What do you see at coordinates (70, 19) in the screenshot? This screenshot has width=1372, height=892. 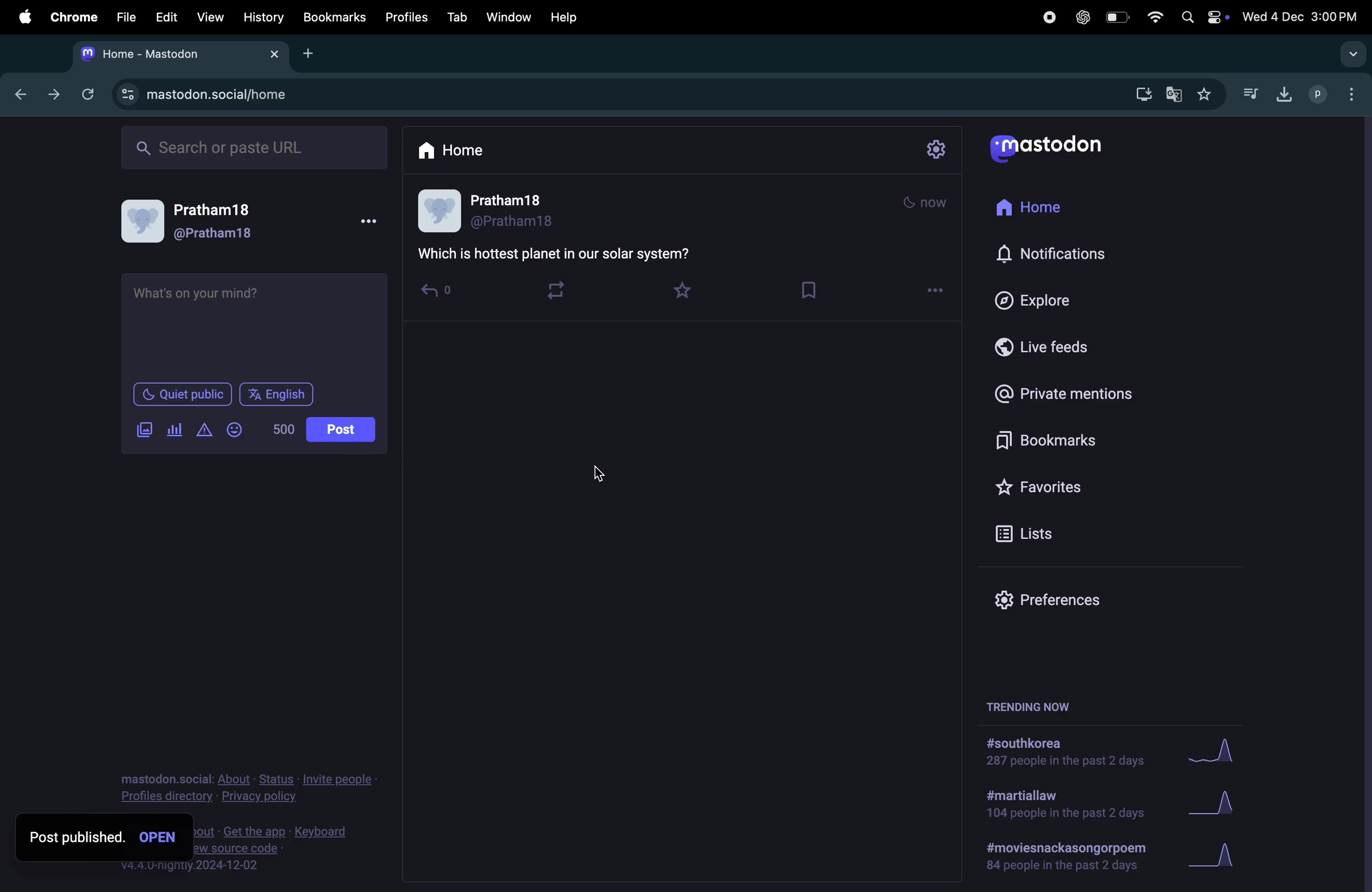 I see `chrome` at bounding box center [70, 19].